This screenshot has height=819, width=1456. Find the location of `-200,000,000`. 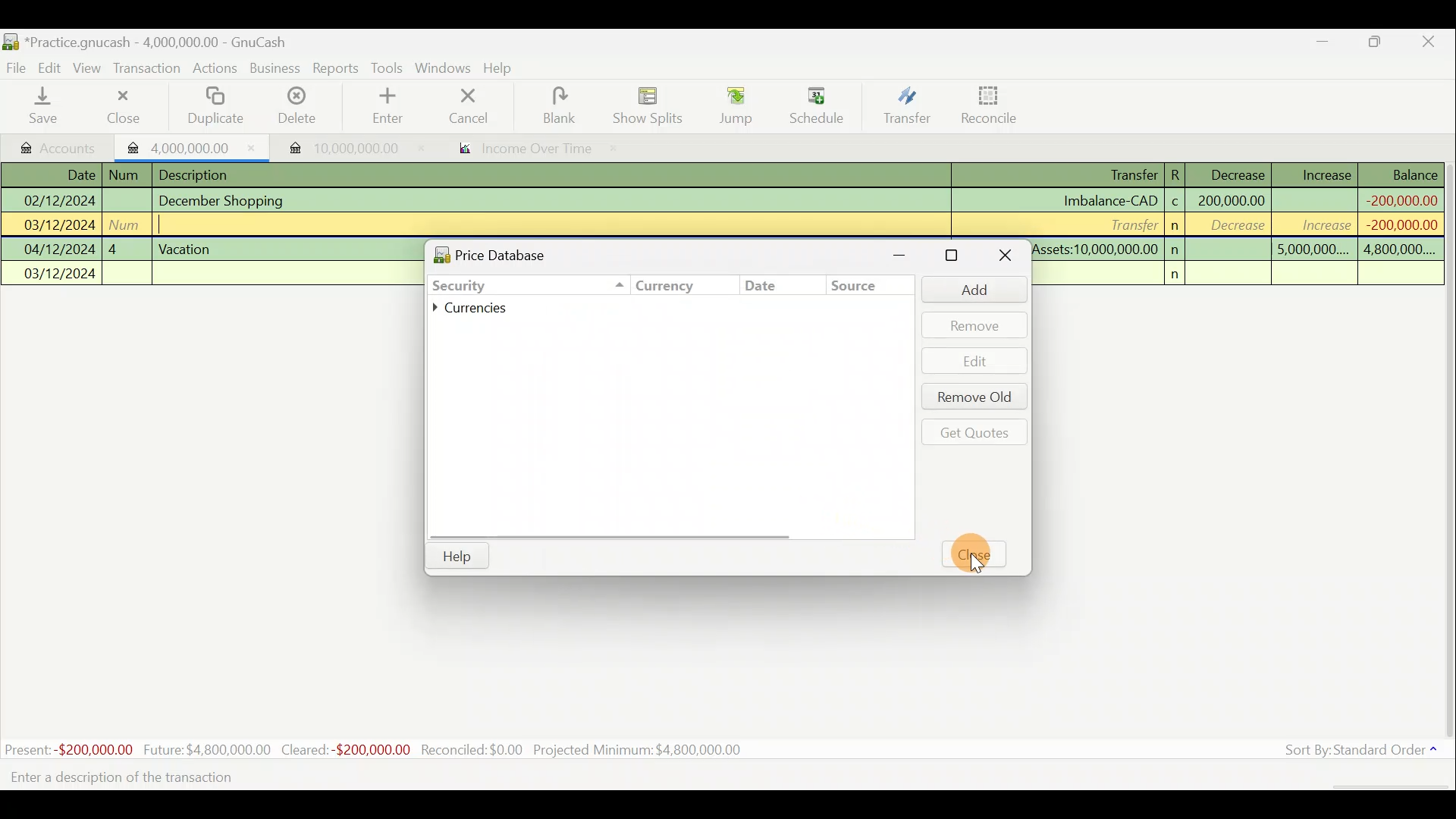

-200,000,000 is located at coordinates (1399, 199).